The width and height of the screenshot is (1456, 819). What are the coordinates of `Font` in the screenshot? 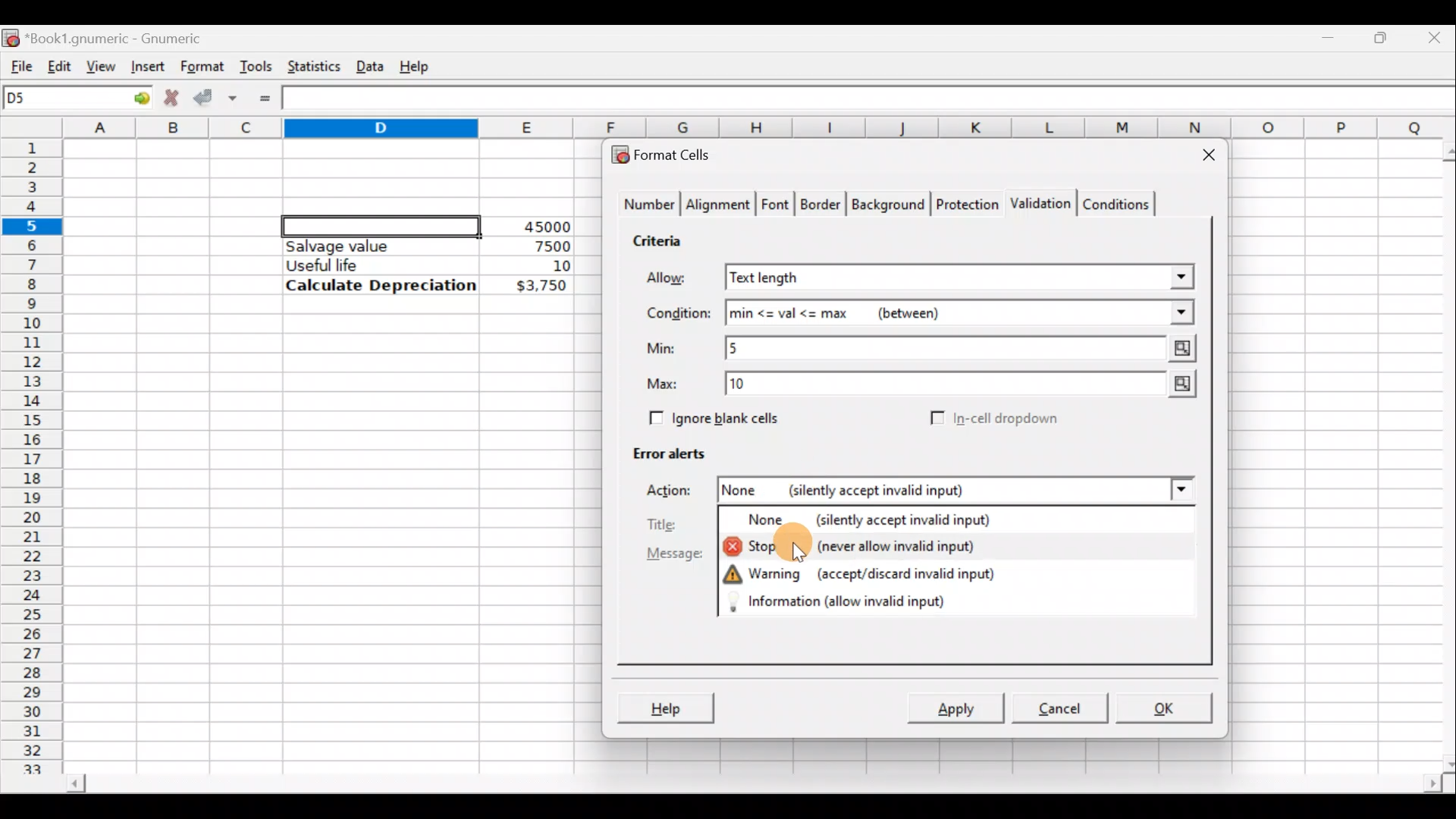 It's located at (777, 206).